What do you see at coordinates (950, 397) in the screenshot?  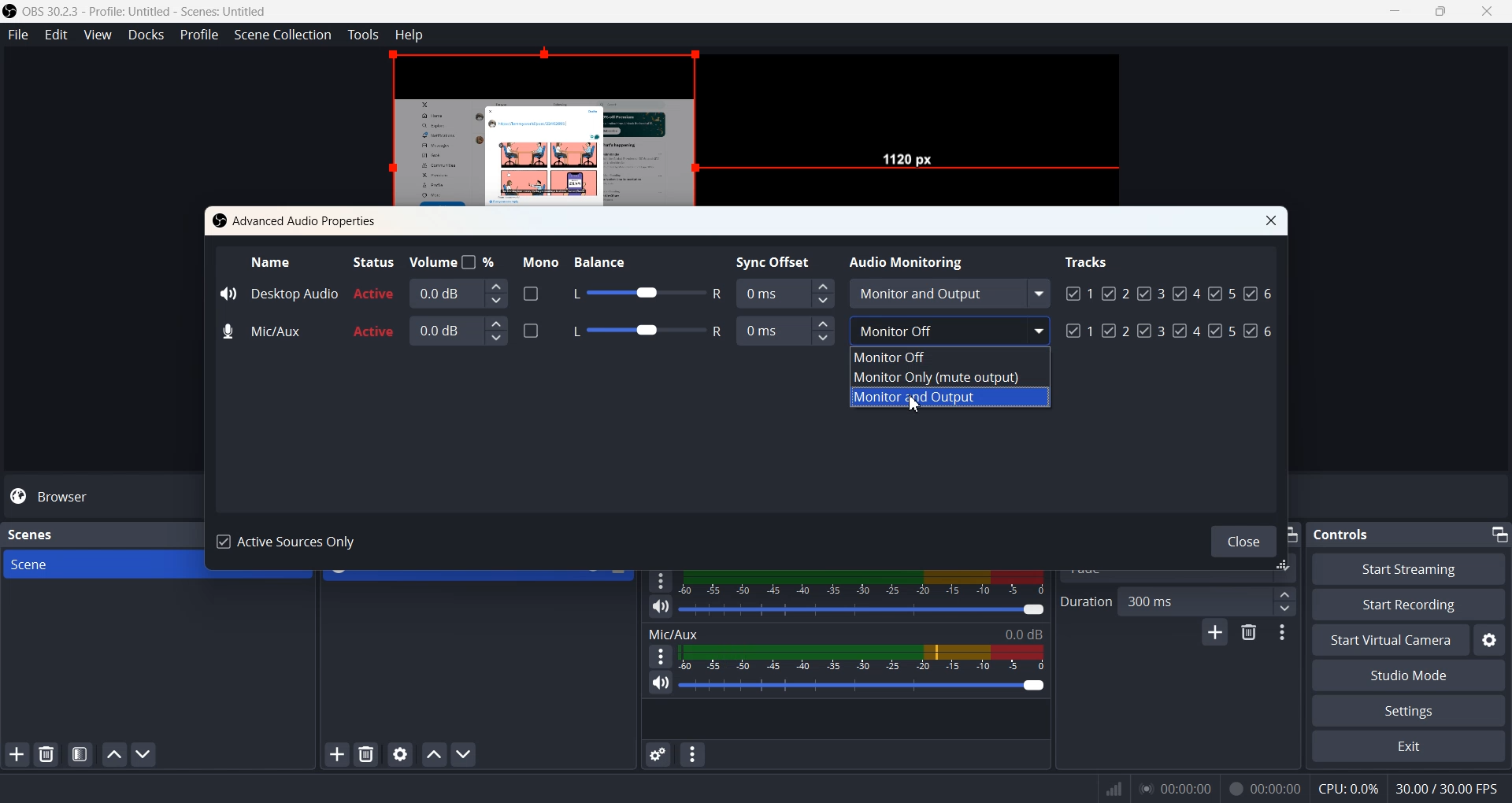 I see `Monitor and Output` at bounding box center [950, 397].